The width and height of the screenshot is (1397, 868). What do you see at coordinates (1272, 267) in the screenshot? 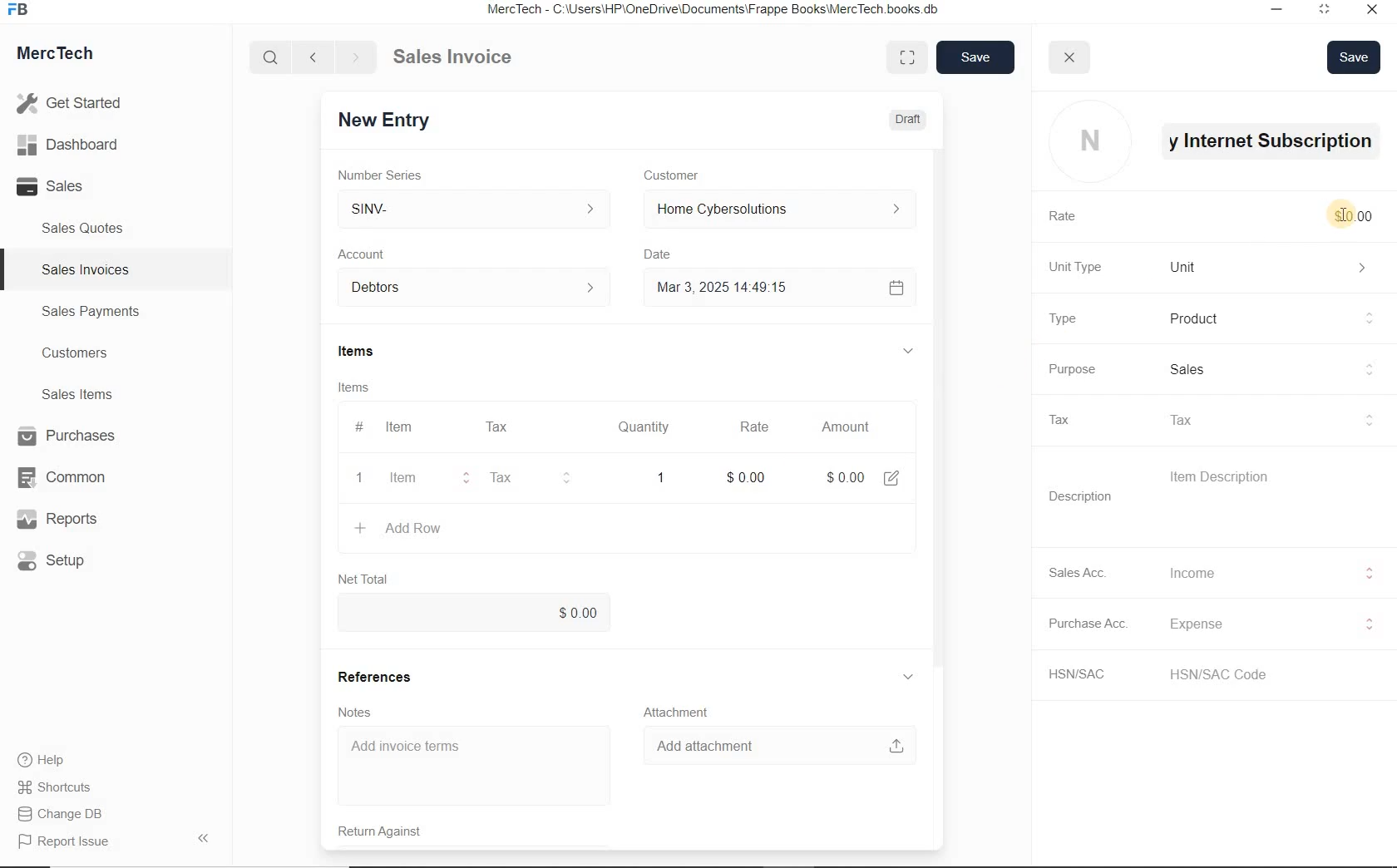
I see `Unit` at bounding box center [1272, 267].